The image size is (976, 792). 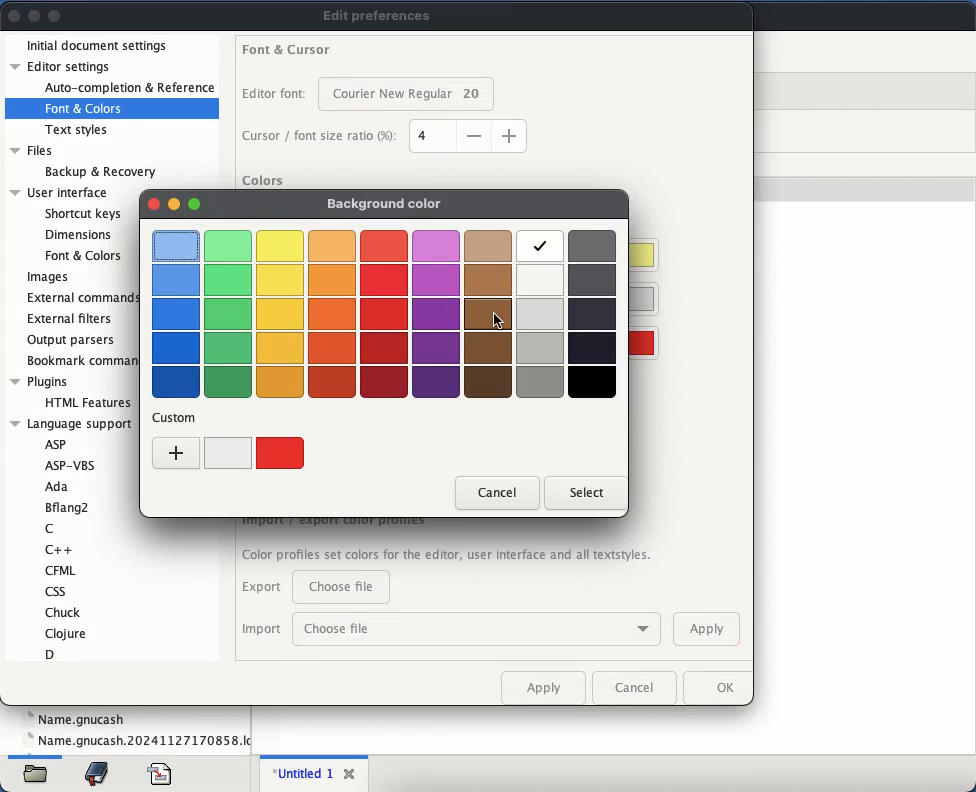 What do you see at coordinates (262, 586) in the screenshot?
I see `export` at bounding box center [262, 586].